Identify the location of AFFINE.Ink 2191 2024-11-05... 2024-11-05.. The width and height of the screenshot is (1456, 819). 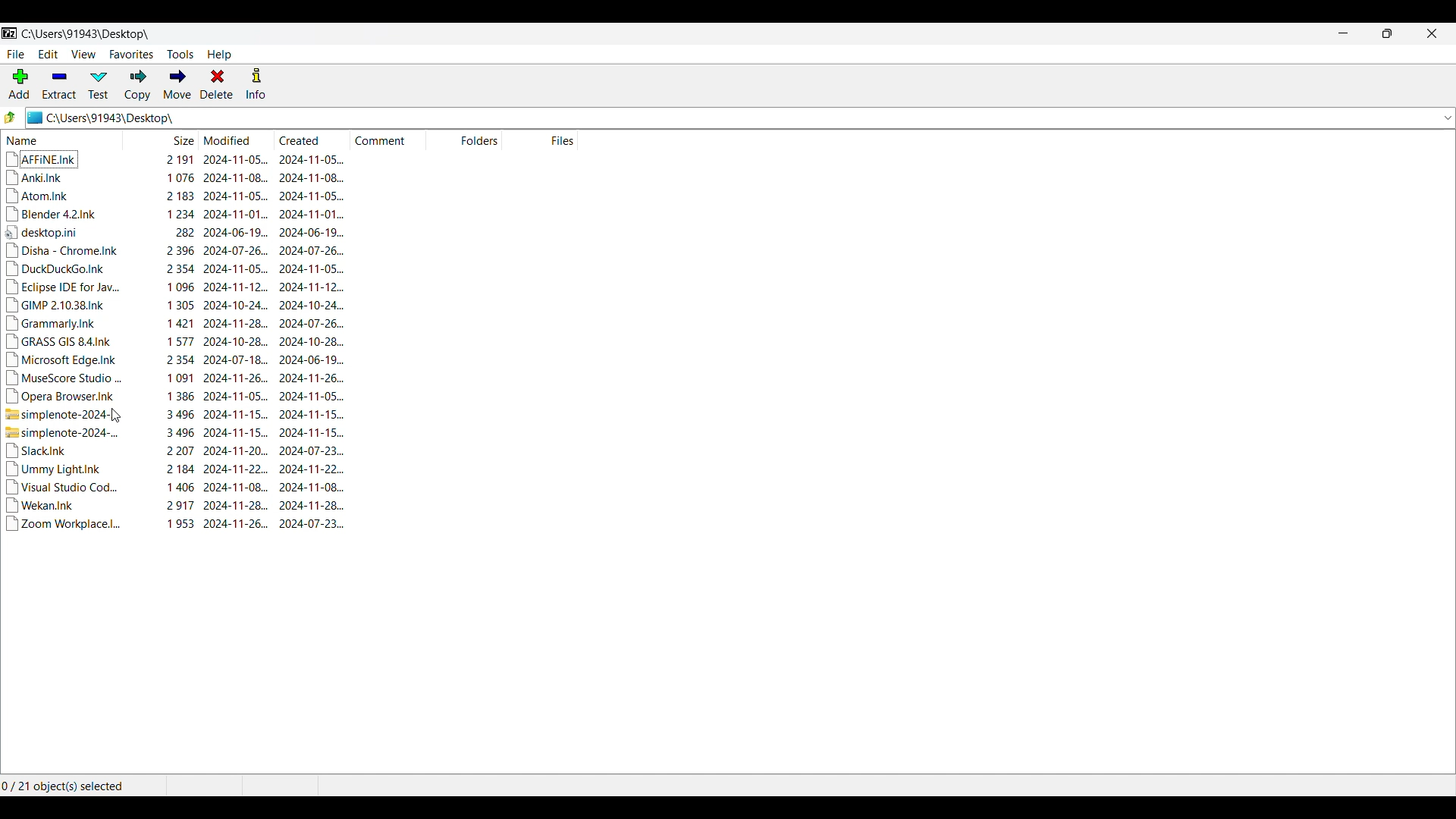
(188, 160).